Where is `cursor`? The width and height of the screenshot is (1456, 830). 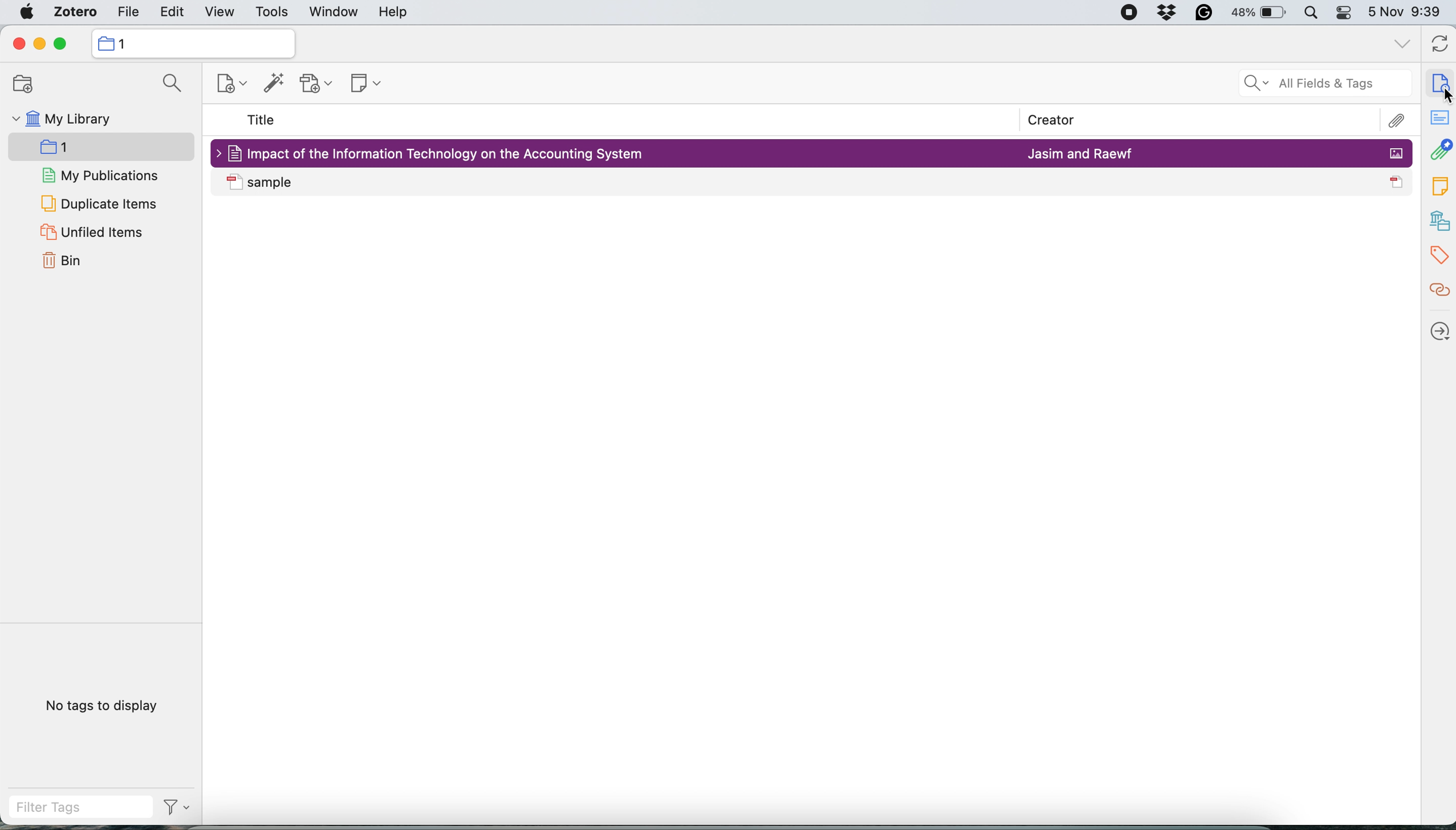 cursor is located at coordinates (1446, 95).